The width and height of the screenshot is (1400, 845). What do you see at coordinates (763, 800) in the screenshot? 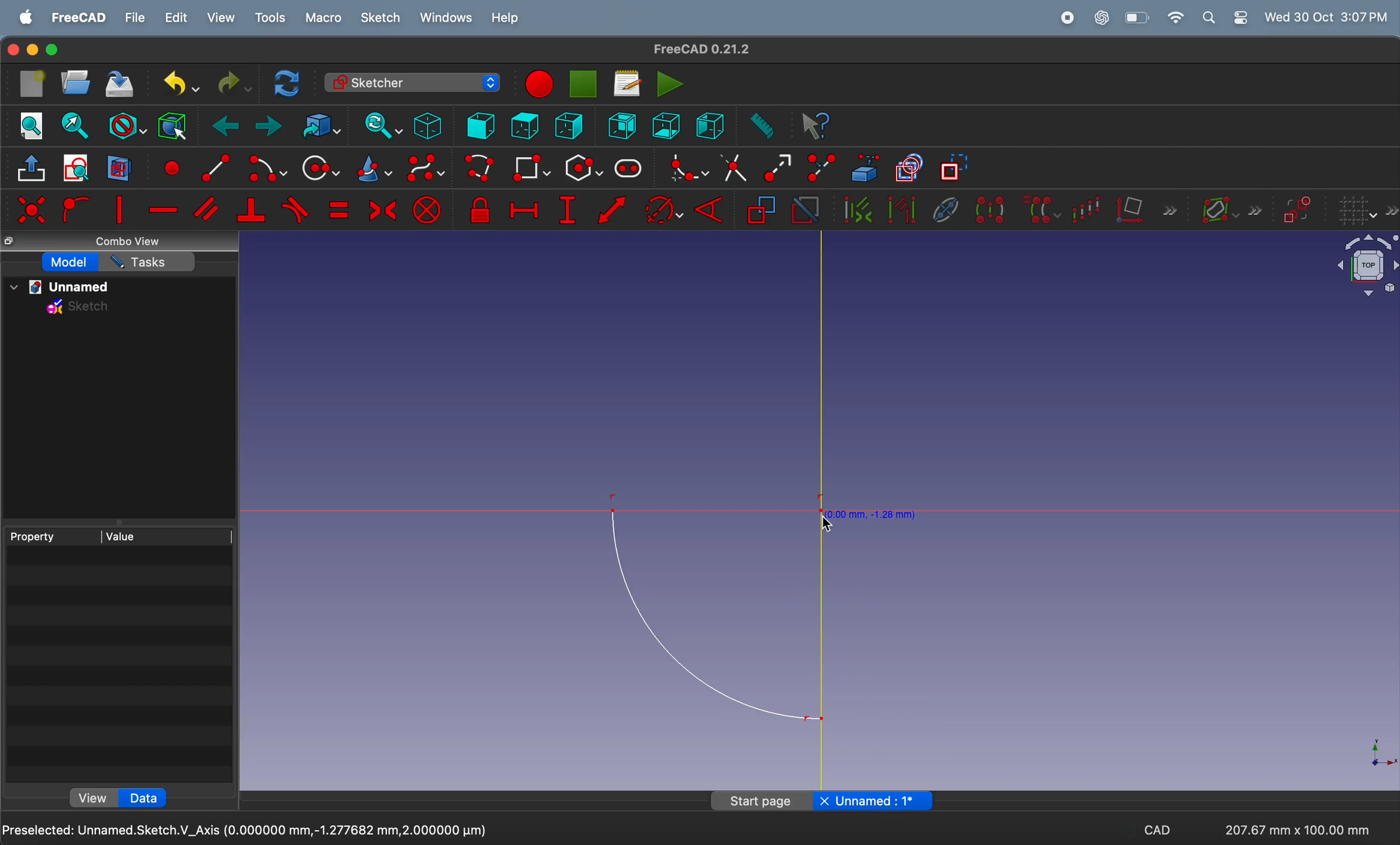
I see `Start page` at bounding box center [763, 800].